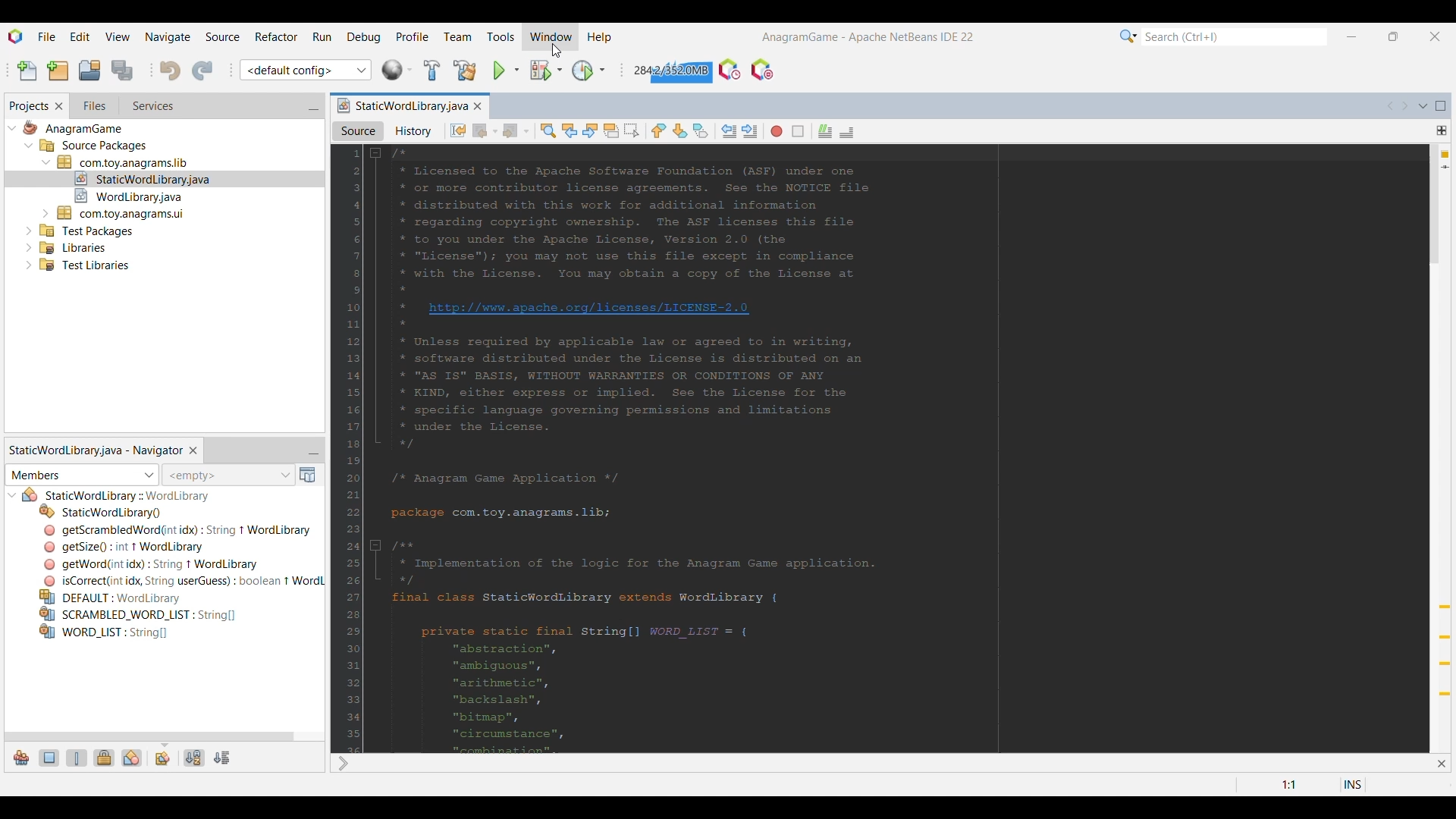 The height and width of the screenshot is (819, 1456). What do you see at coordinates (689, 392) in the screenshot?
I see `` at bounding box center [689, 392].